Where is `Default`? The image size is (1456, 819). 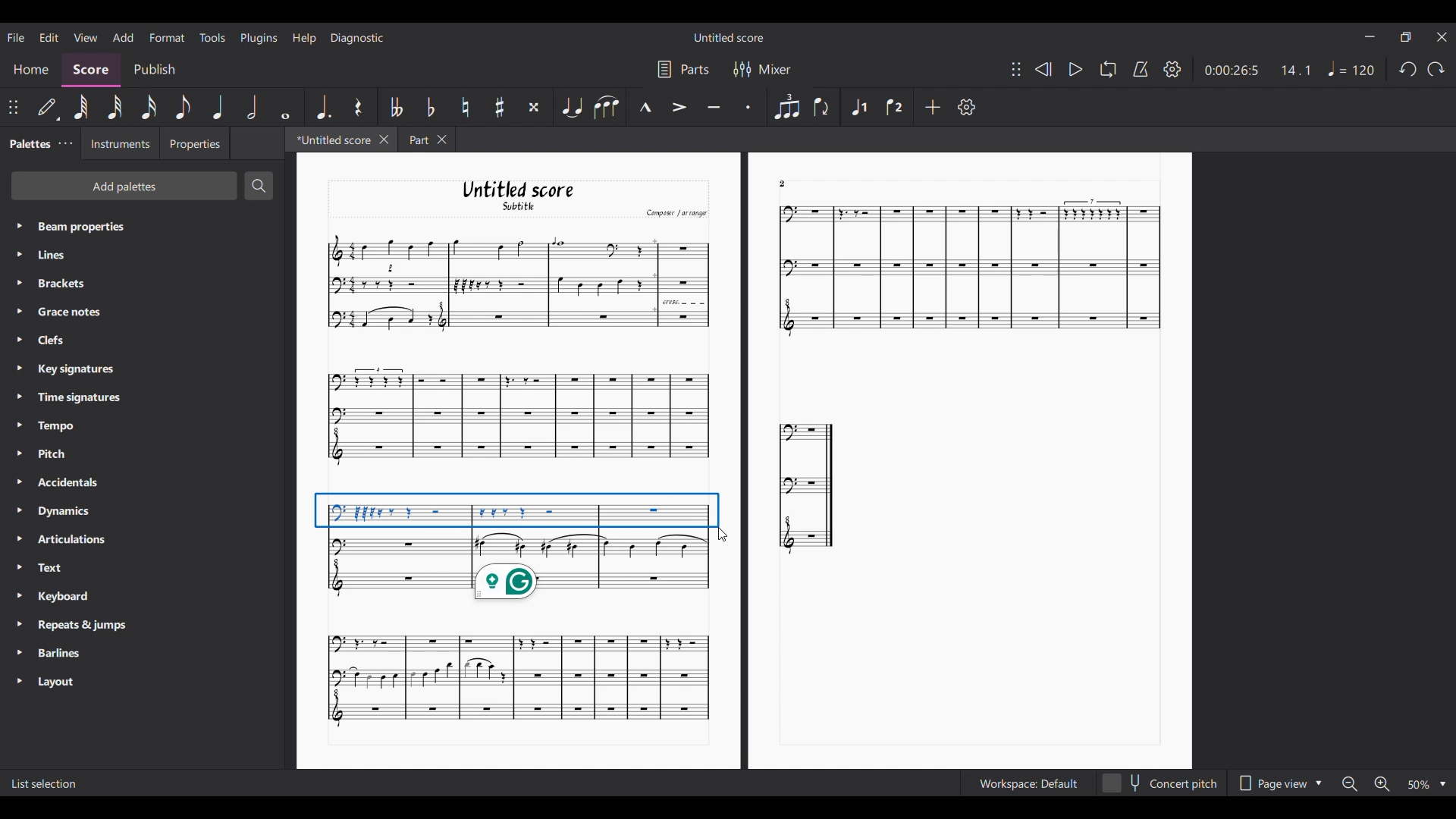 Default is located at coordinates (48, 110).